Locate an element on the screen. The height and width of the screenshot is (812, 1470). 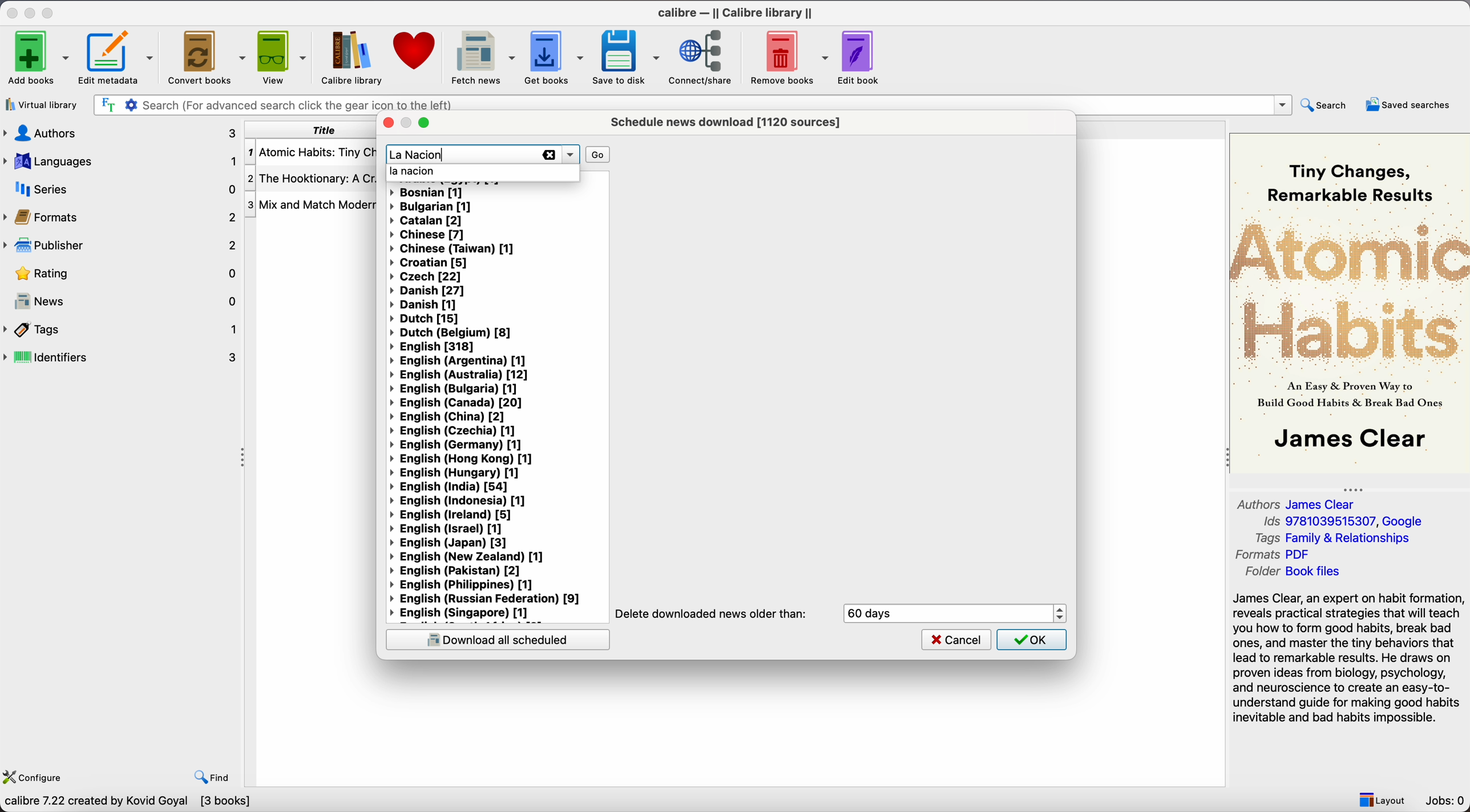
clibre 7.22 created by kovid Goyal [3 books] is located at coordinates (127, 803).